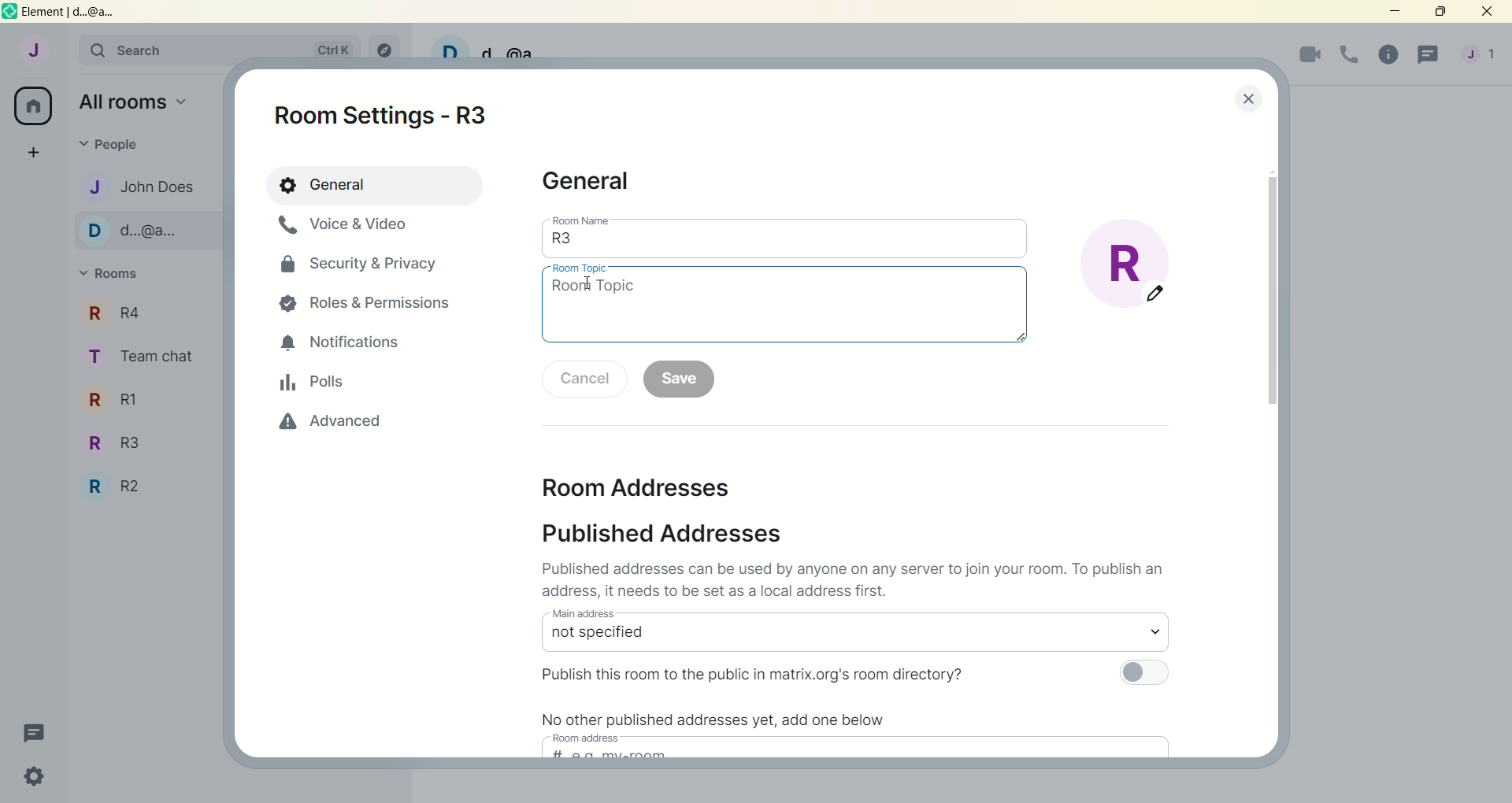 The image size is (1512, 803). I want to click on toggle button, so click(1149, 675).